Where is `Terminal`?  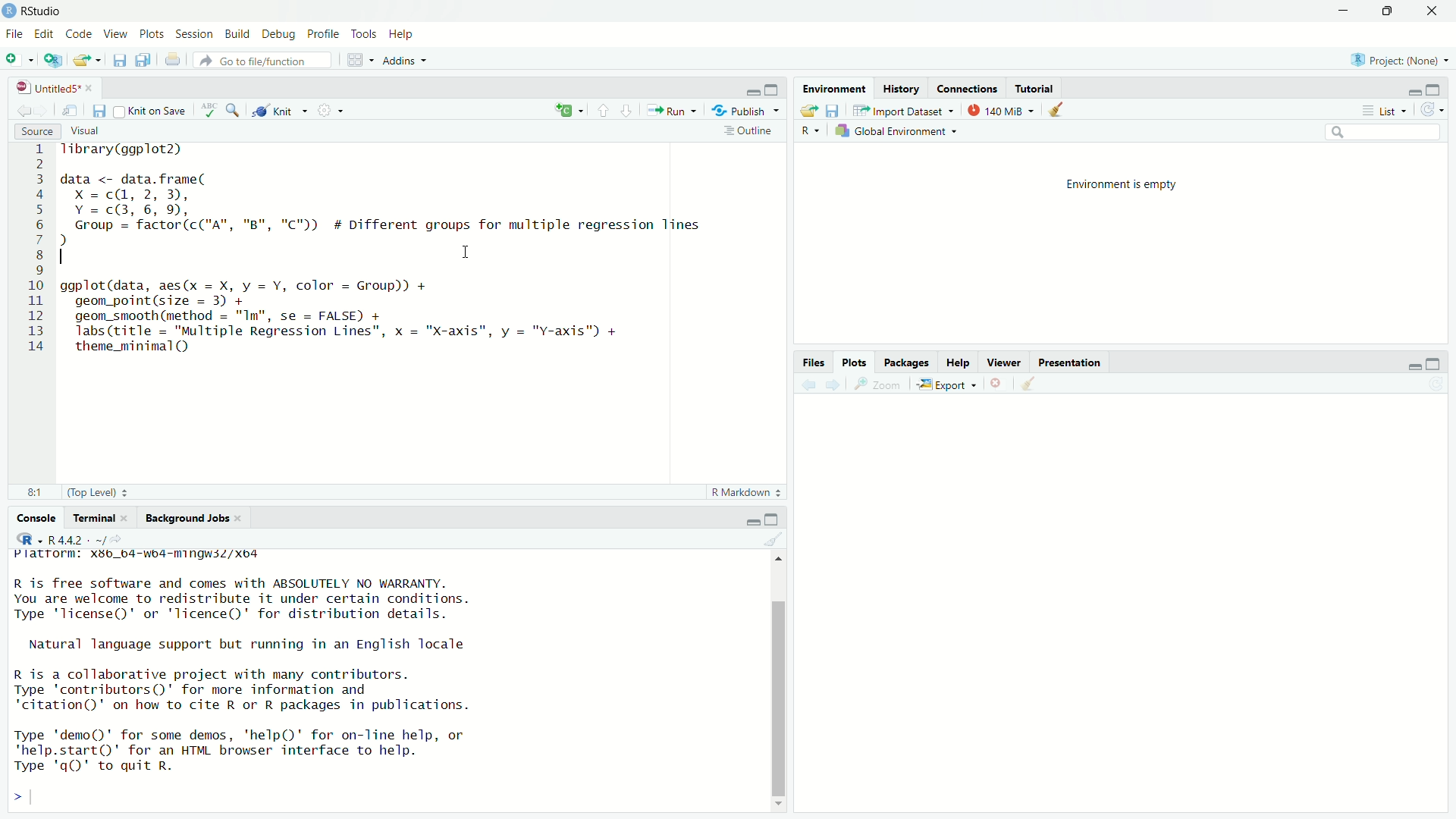 Terminal is located at coordinates (90, 516).